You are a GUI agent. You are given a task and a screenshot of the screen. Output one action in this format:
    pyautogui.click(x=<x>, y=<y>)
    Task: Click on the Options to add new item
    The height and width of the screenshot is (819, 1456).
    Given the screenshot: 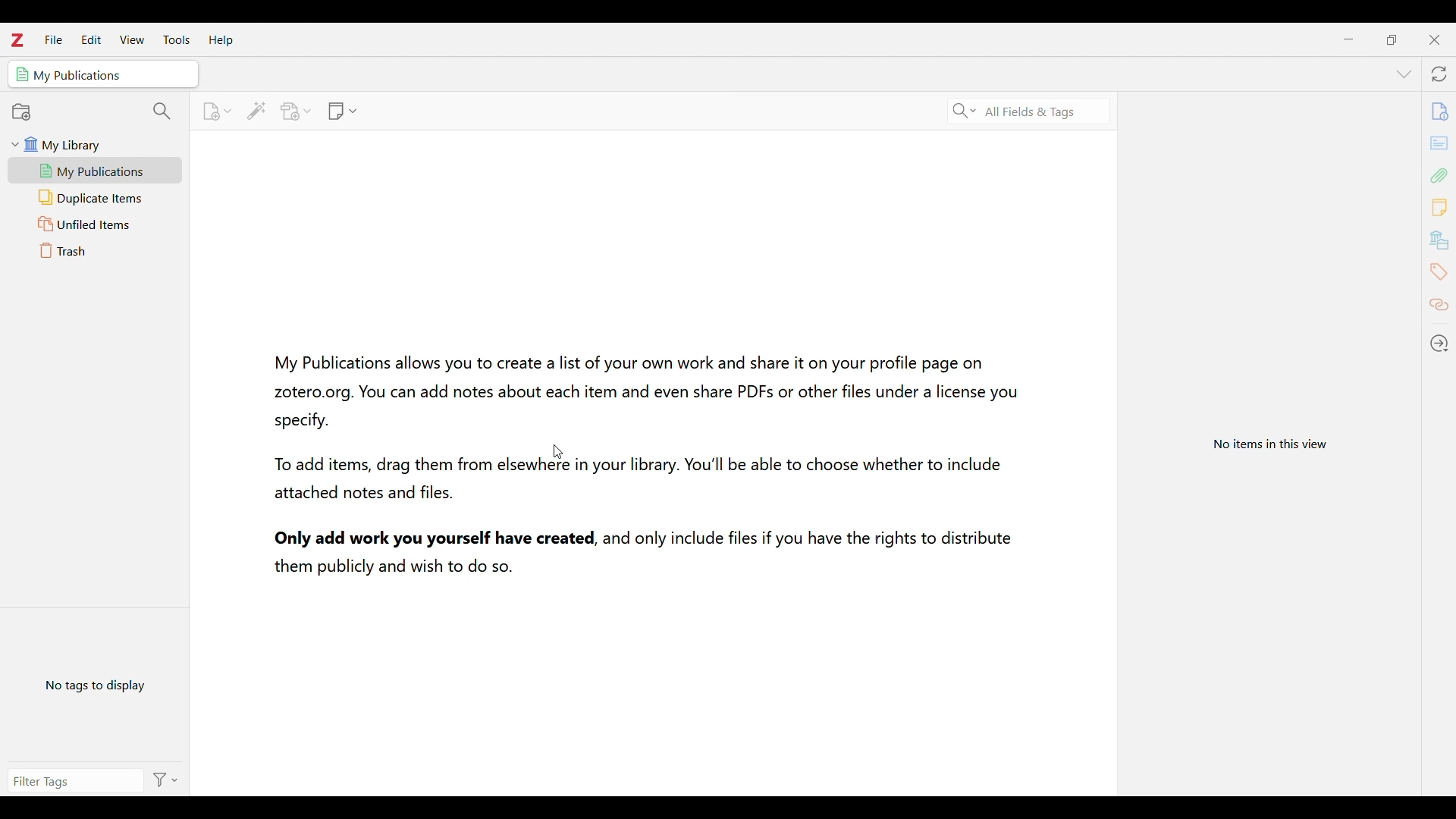 What is the action you would take?
    pyautogui.click(x=216, y=111)
    